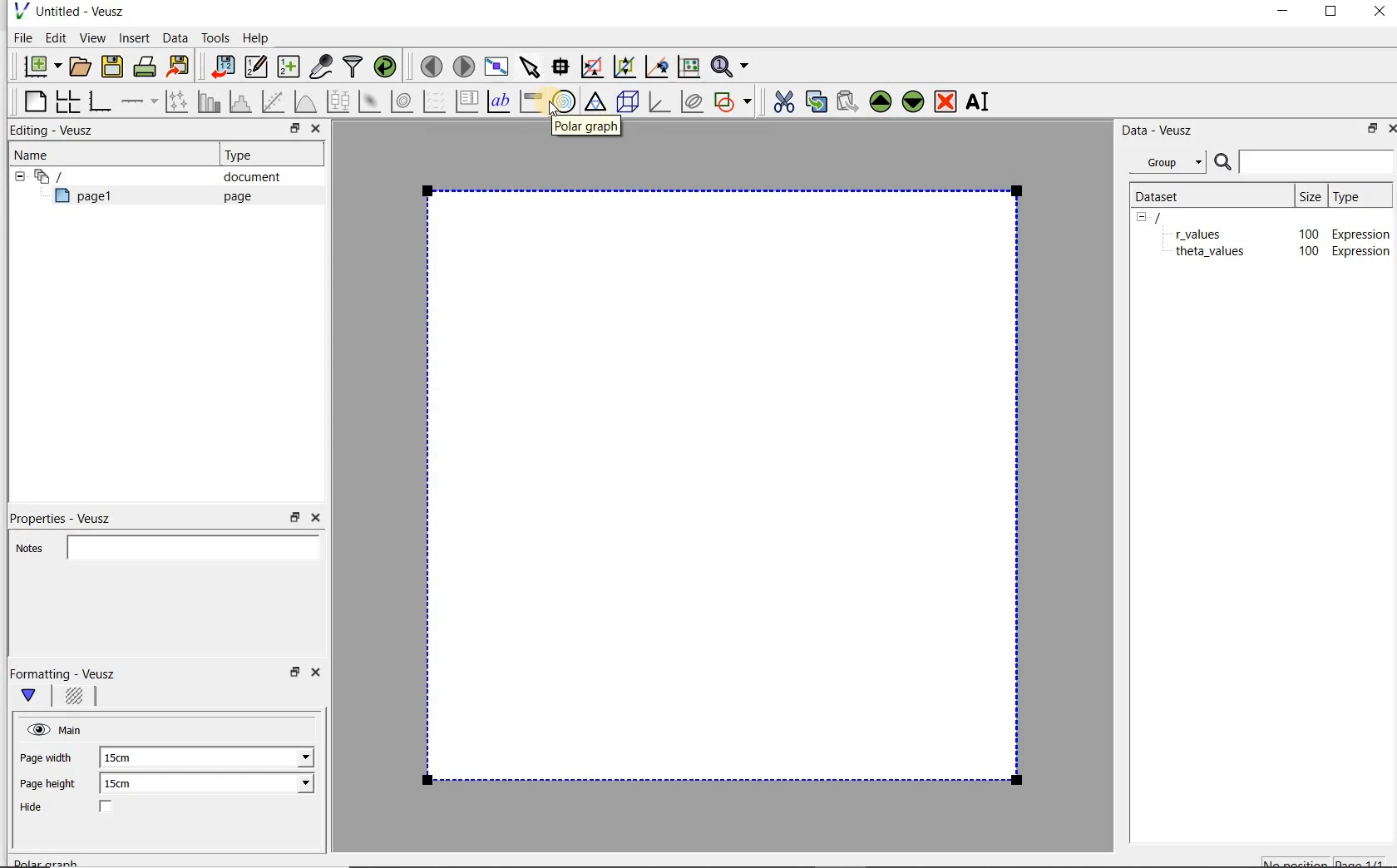 This screenshot has height=868, width=1397. What do you see at coordinates (47, 755) in the screenshot?
I see `Page width` at bounding box center [47, 755].